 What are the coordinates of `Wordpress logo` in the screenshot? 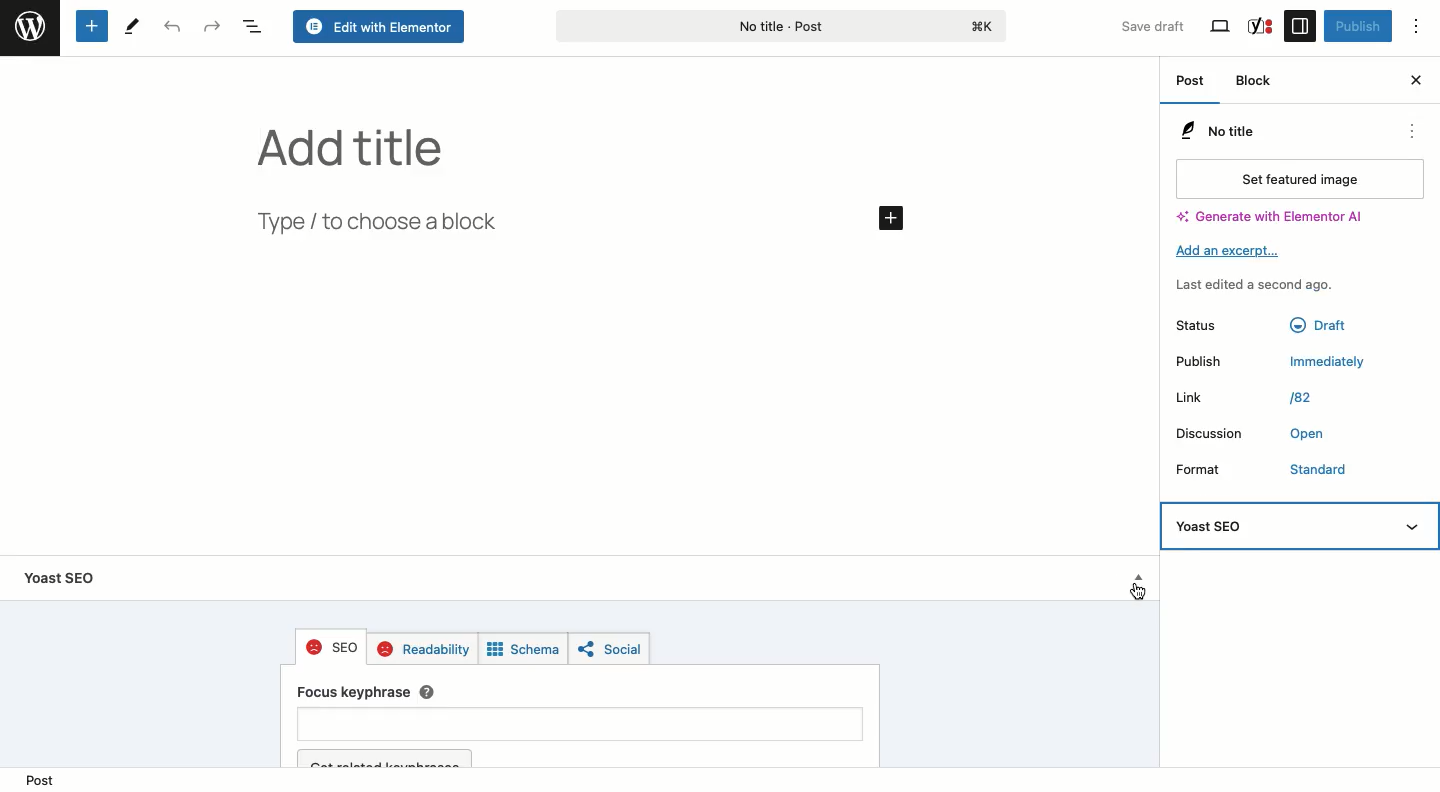 It's located at (30, 27).